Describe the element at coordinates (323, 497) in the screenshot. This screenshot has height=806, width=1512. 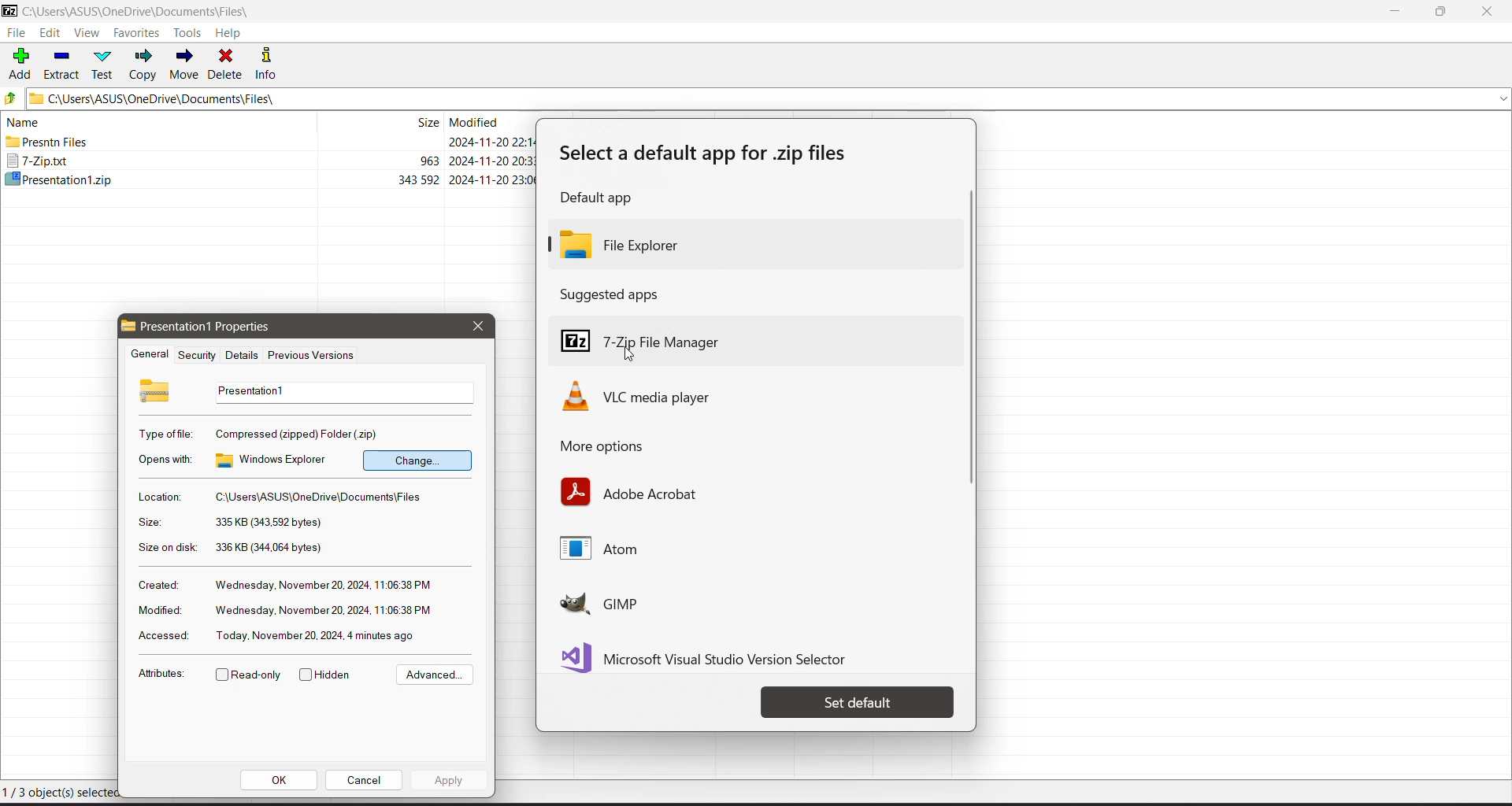
I see `Location of the selected file` at that location.